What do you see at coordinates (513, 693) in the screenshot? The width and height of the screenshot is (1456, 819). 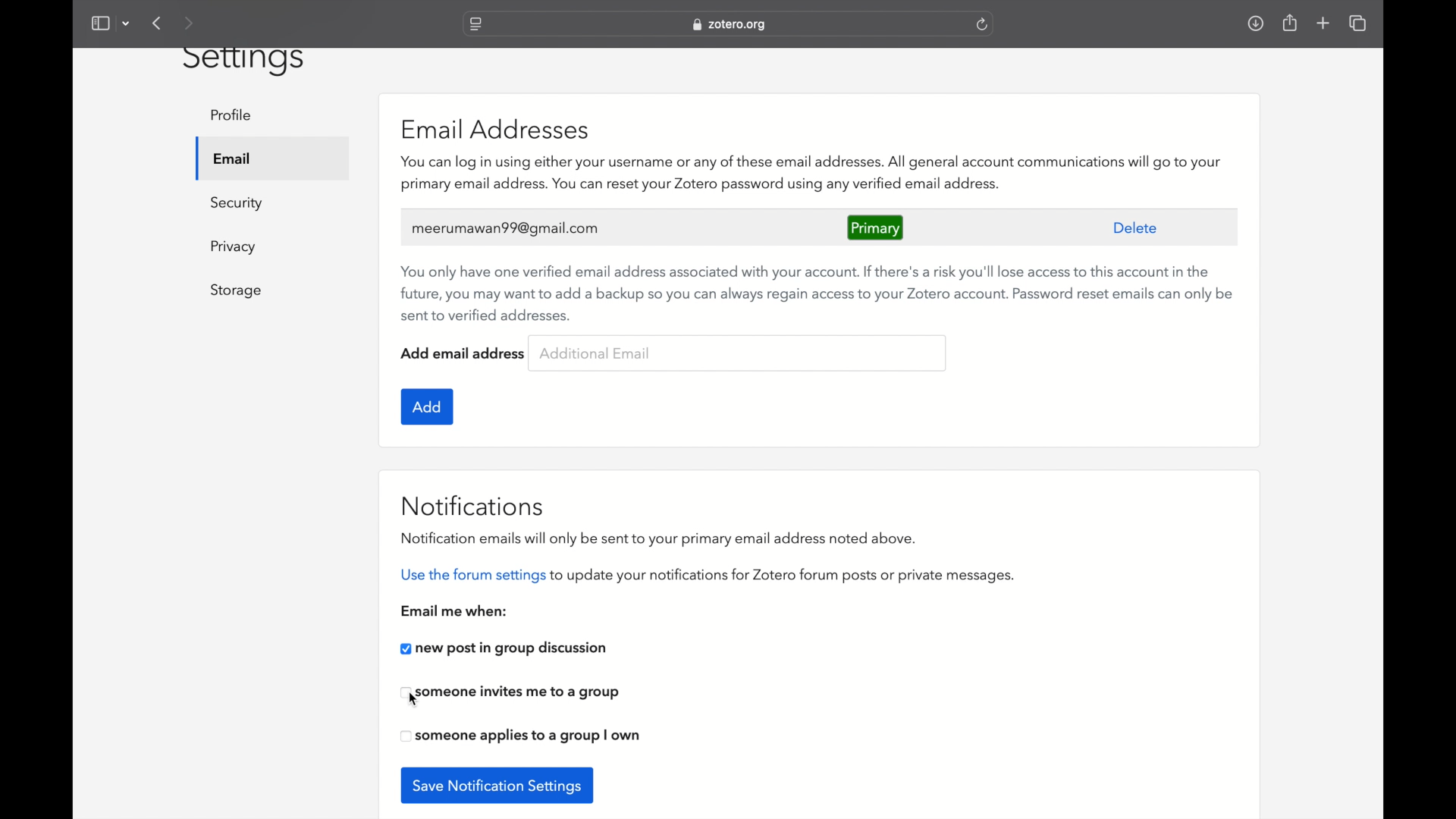 I see `checkbox` at bounding box center [513, 693].